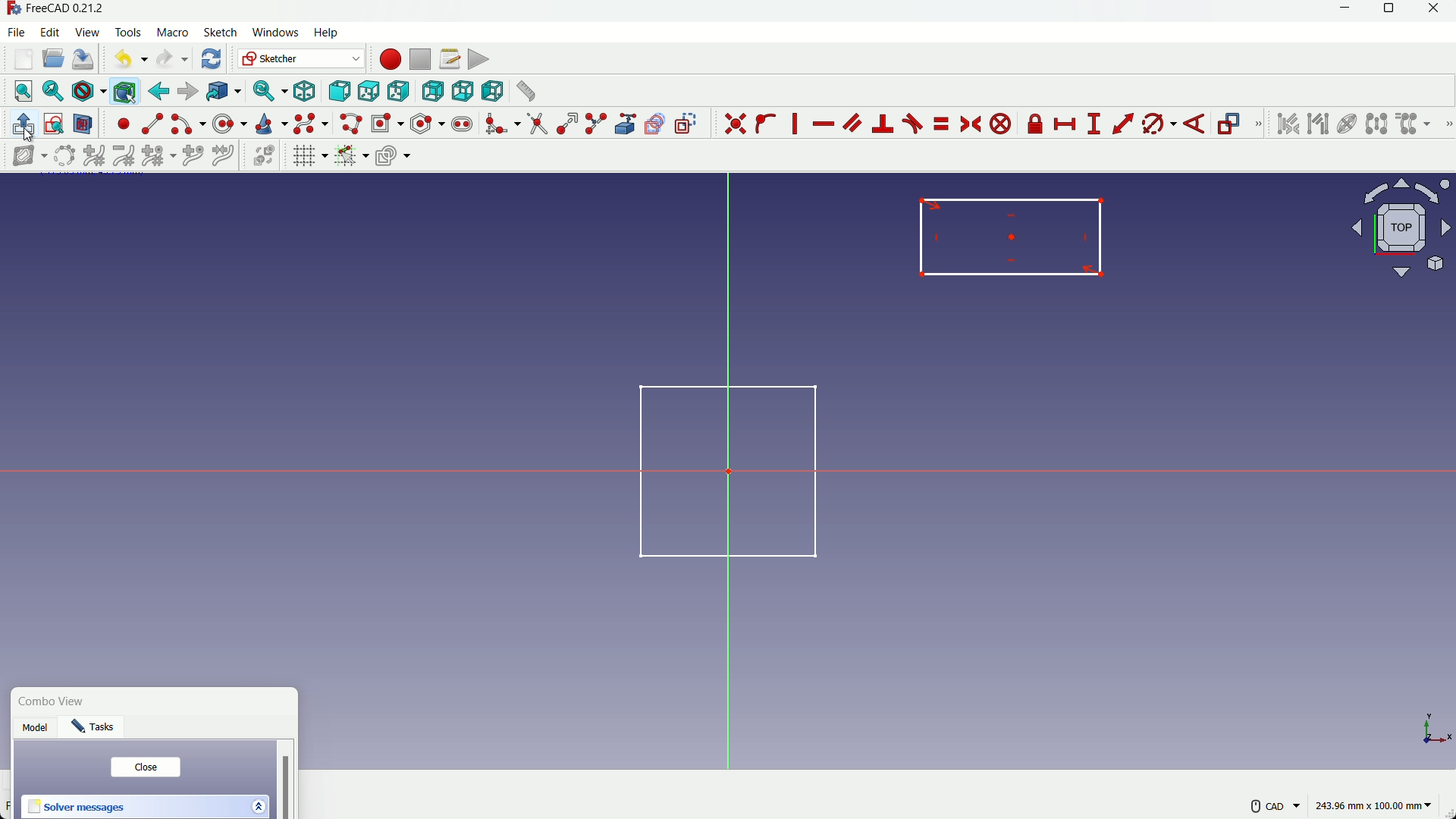 The height and width of the screenshot is (819, 1456). Describe the element at coordinates (24, 59) in the screenshot. I see `new file` at that location.